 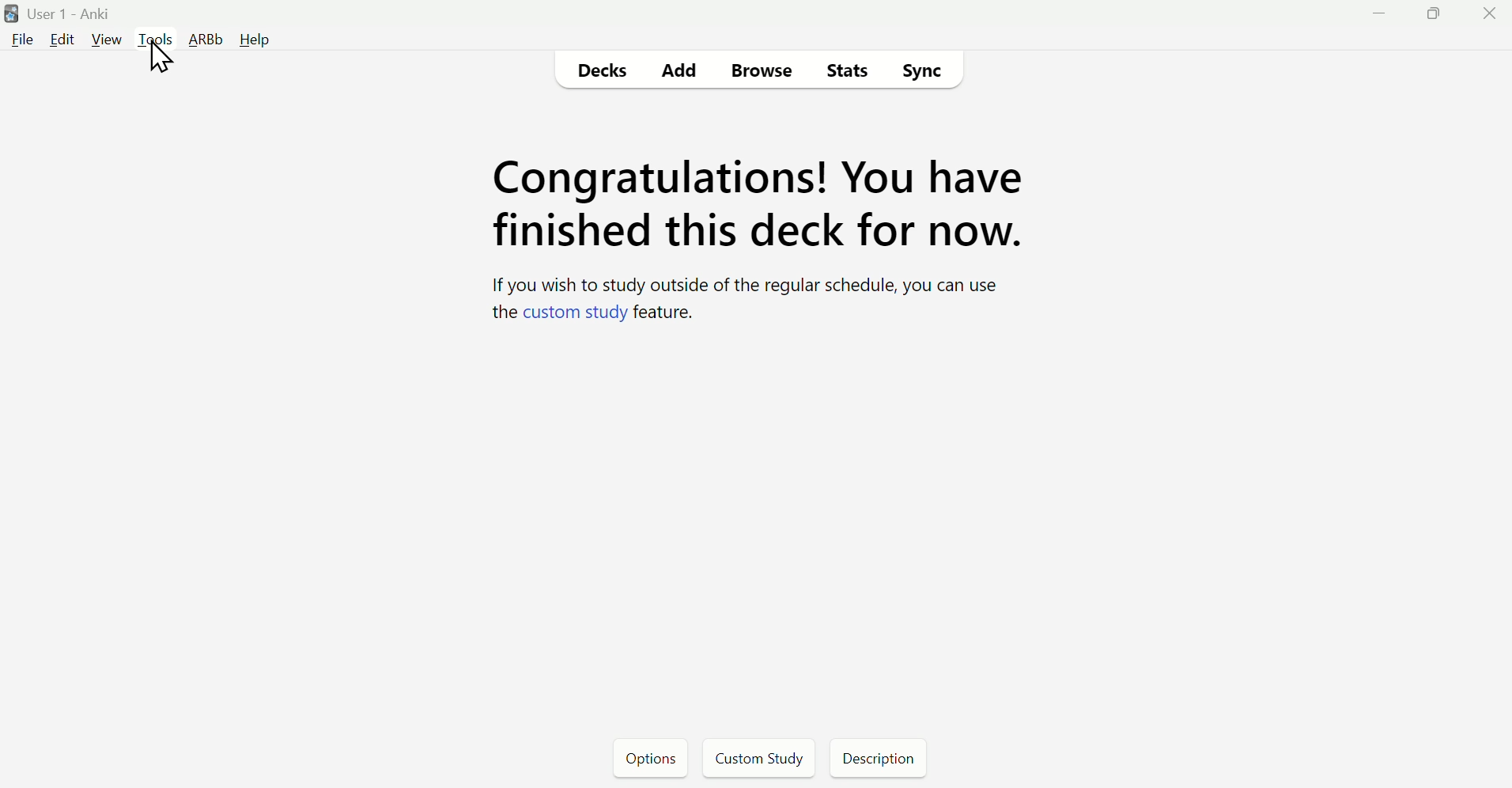 What do you see at coordinates (9, 13) in the screenshot?
I see `logo` at bounding box center [9, 13].